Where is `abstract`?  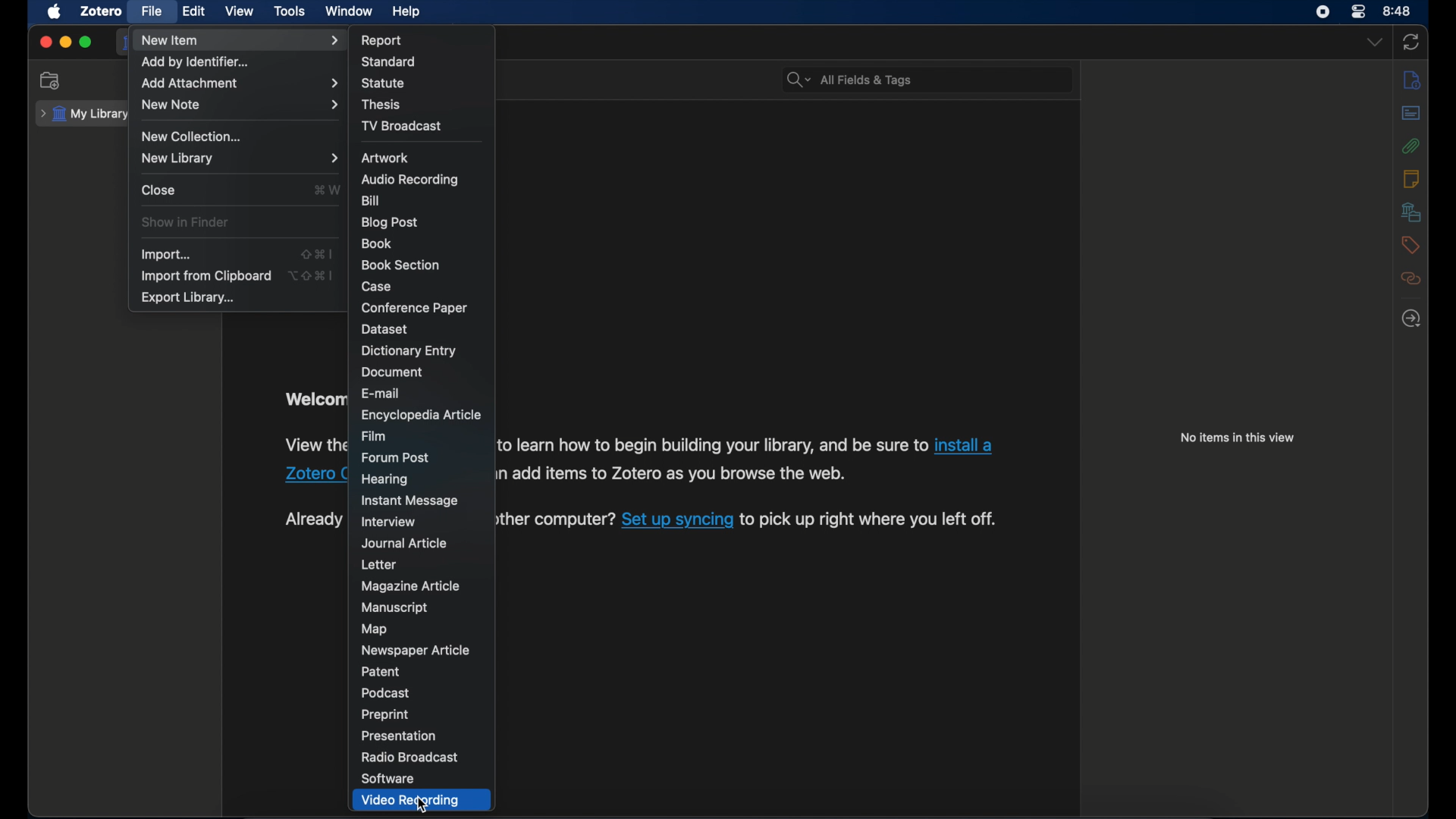 abstract is located at coordinates (1410, 112).